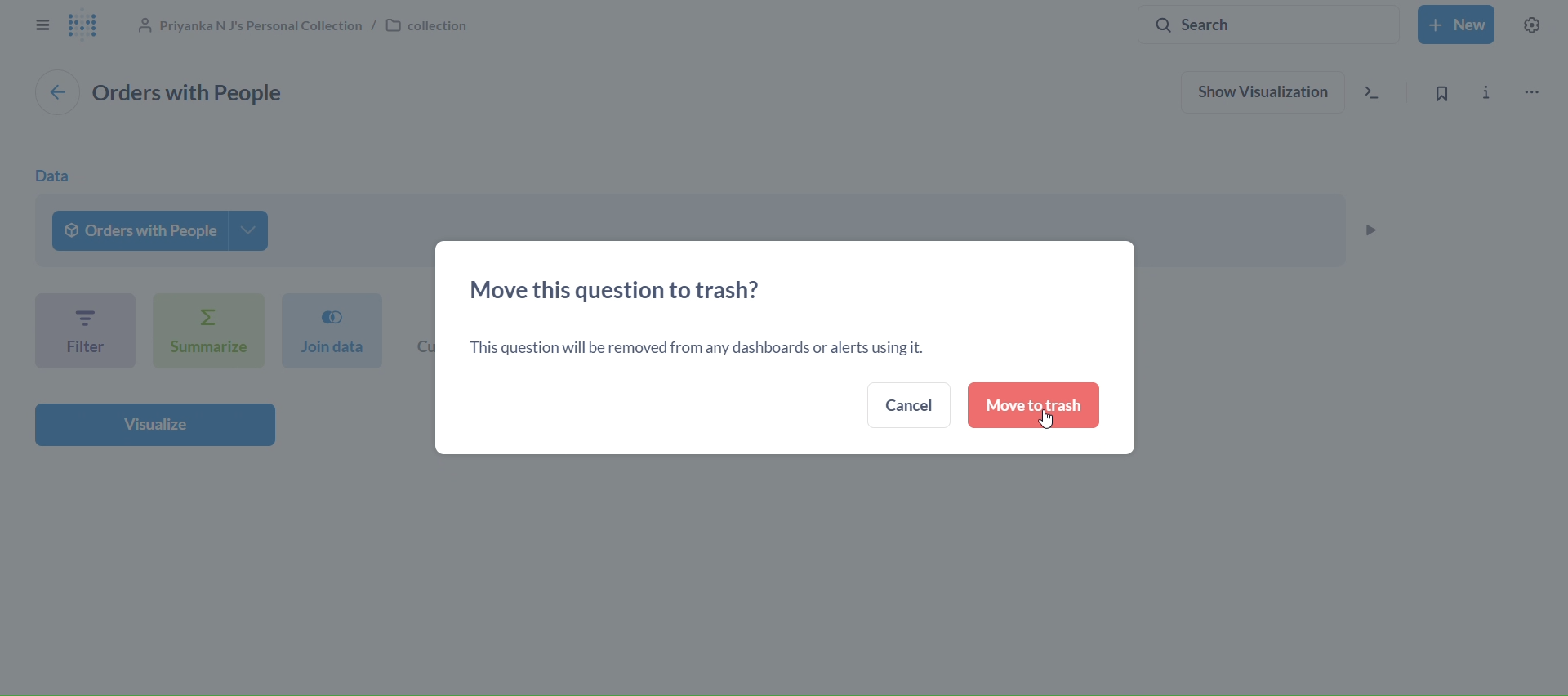 Image resolution: width=1568 pixels, height=696 pixels. What do you see at coordinates (154, 426) in the screenshot?
I see `visualize` at bounding box center [154, 426].